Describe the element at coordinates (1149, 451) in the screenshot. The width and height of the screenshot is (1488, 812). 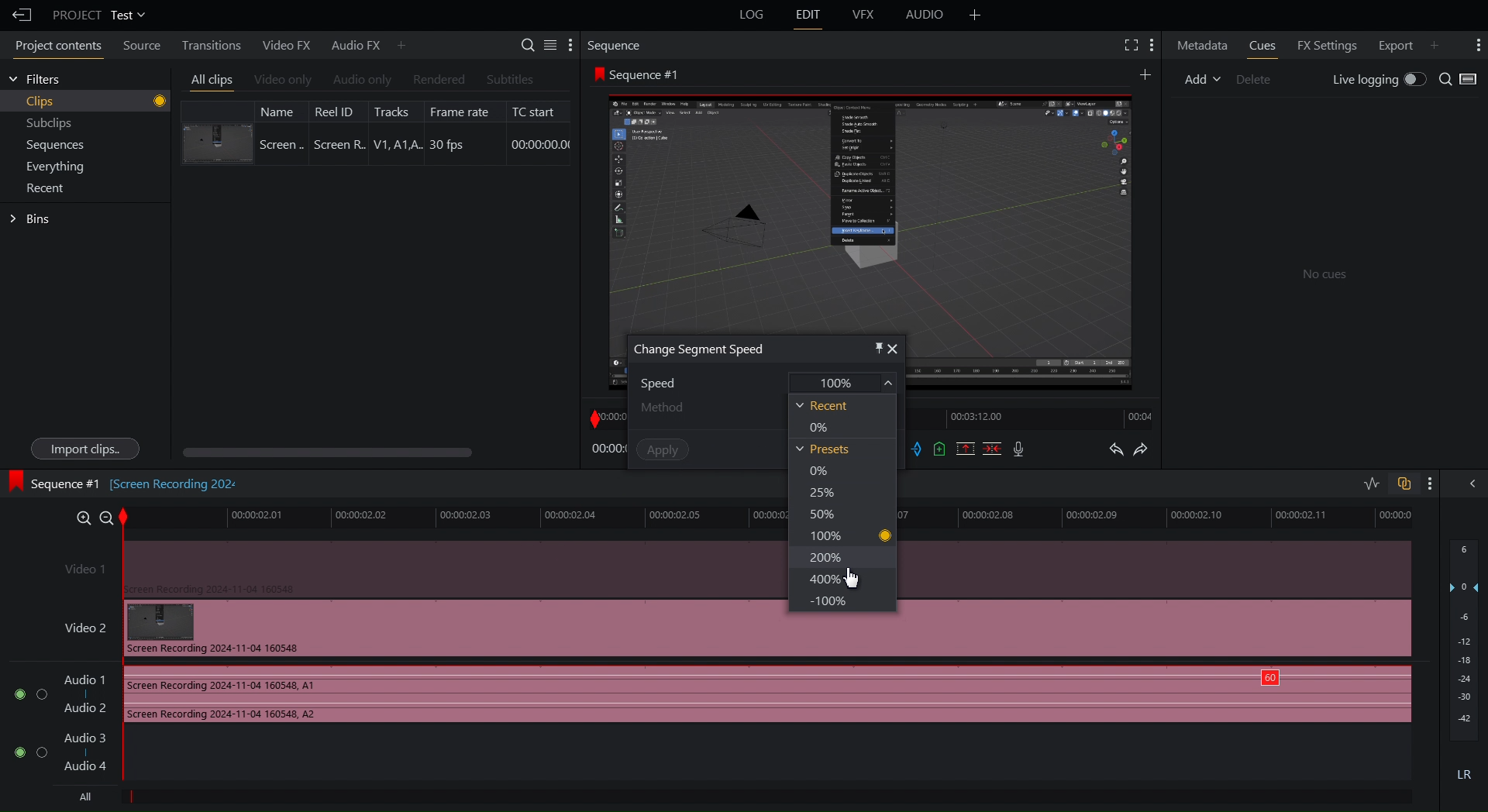
I see `Redo` at that location.